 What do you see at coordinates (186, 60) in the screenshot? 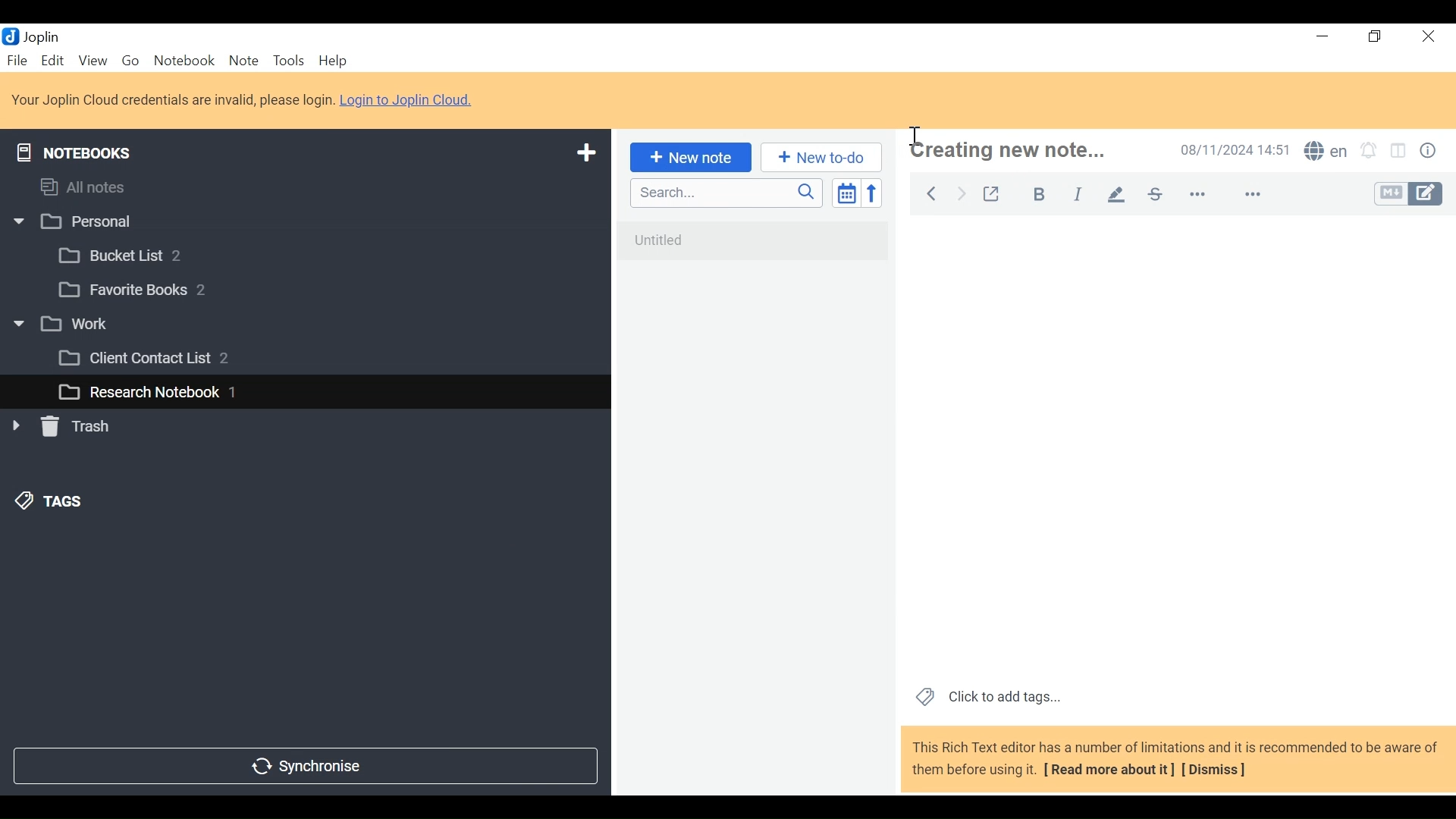
I see `Notebook` at bounding box center [186, 60].